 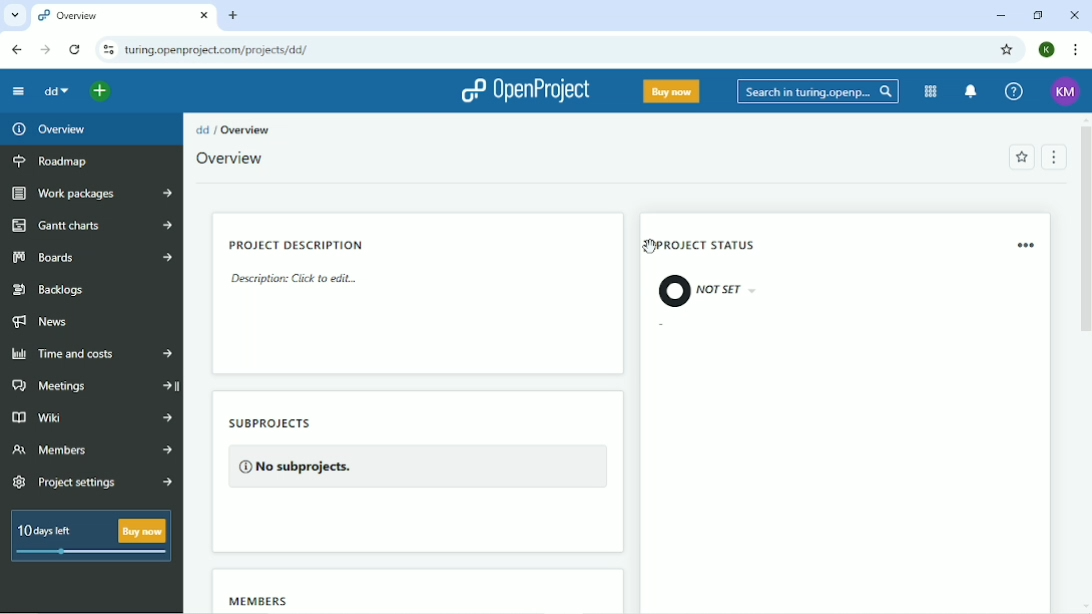 What do you see at coordinates (1015, 92) in the screenshot?
I see `Help` at bounding box center [1015, 92].